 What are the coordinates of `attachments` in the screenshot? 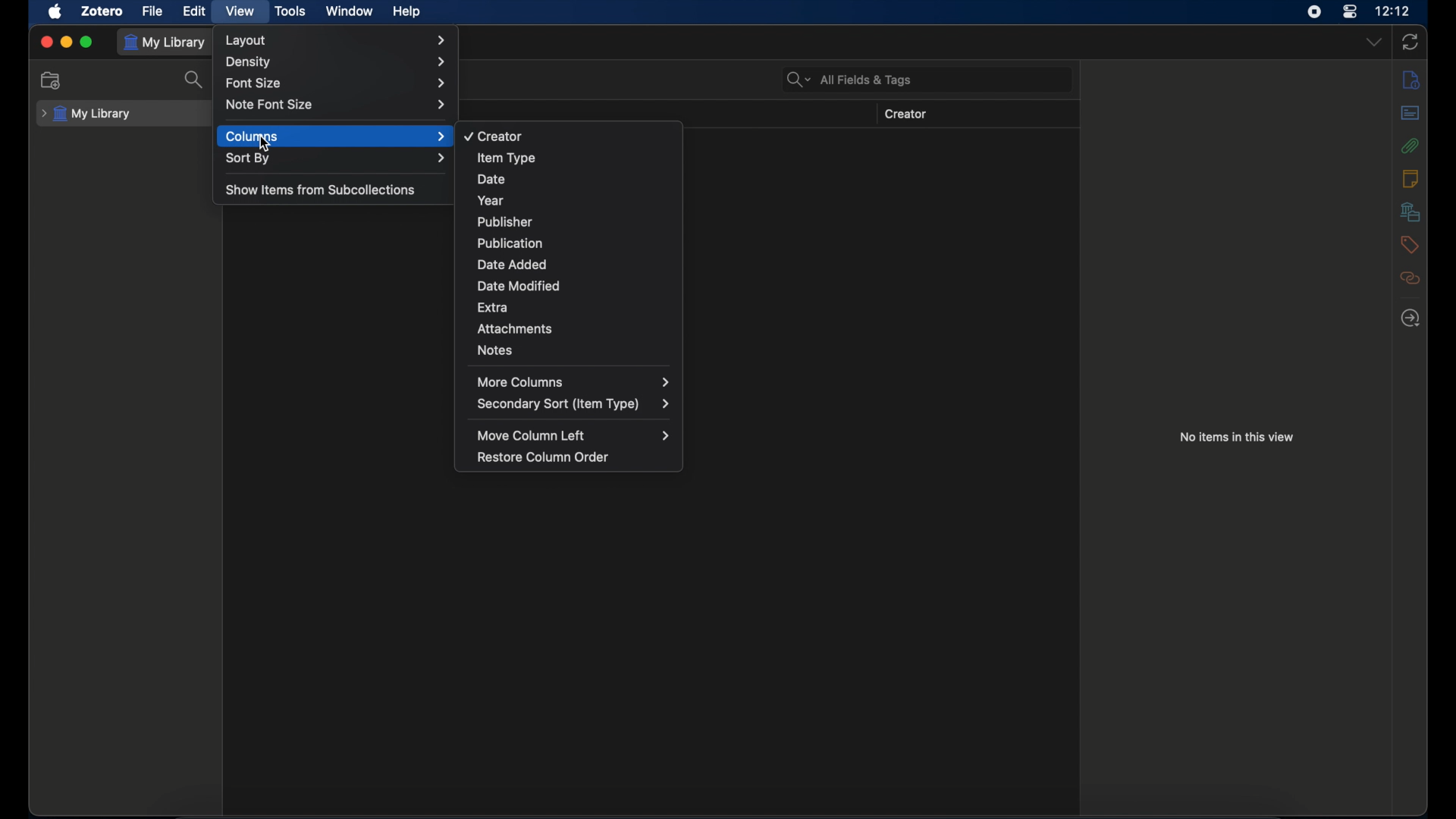 It's located at (1410, 146).